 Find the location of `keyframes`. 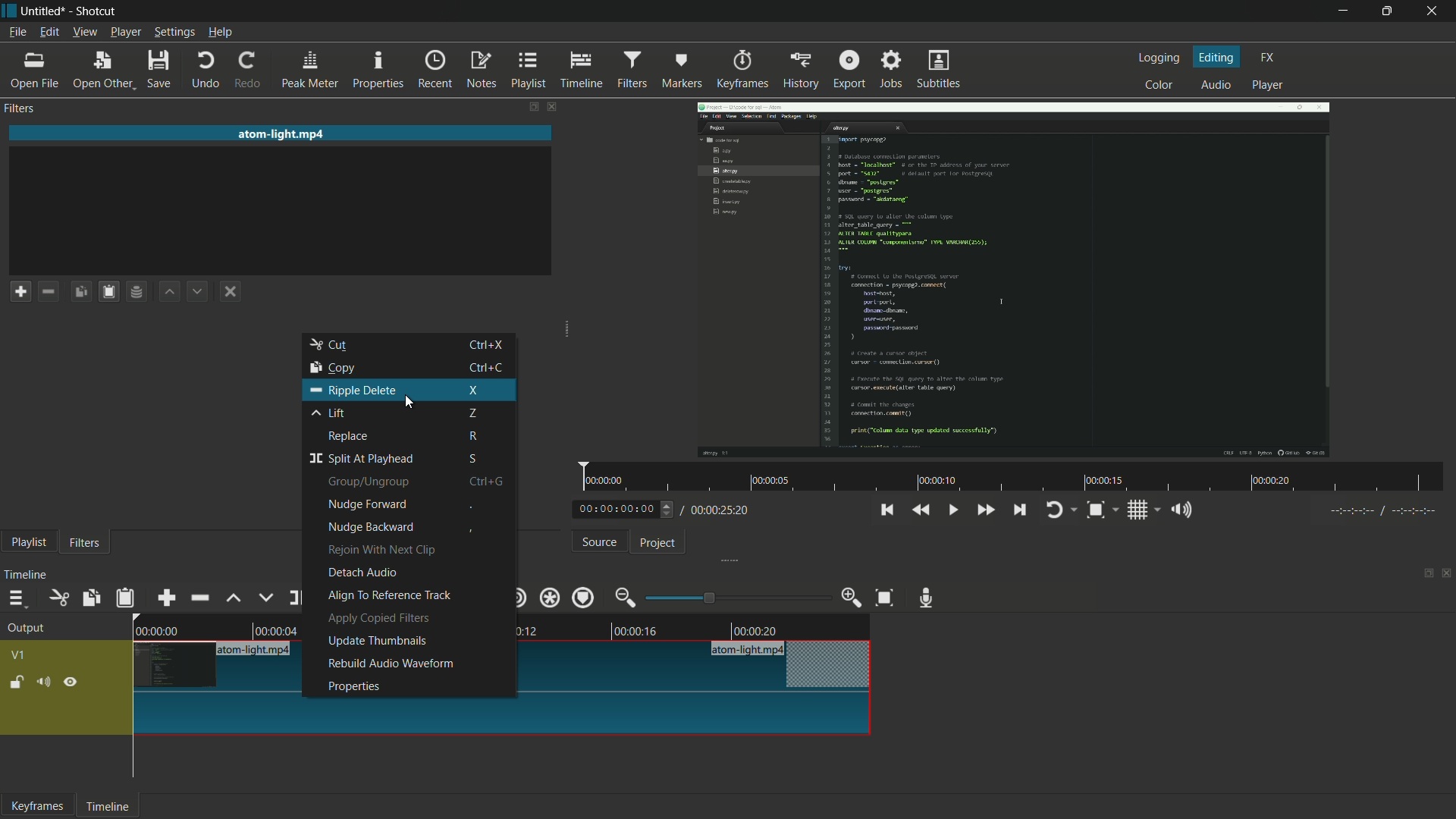

keyframes is located at coordinates (742, 71).